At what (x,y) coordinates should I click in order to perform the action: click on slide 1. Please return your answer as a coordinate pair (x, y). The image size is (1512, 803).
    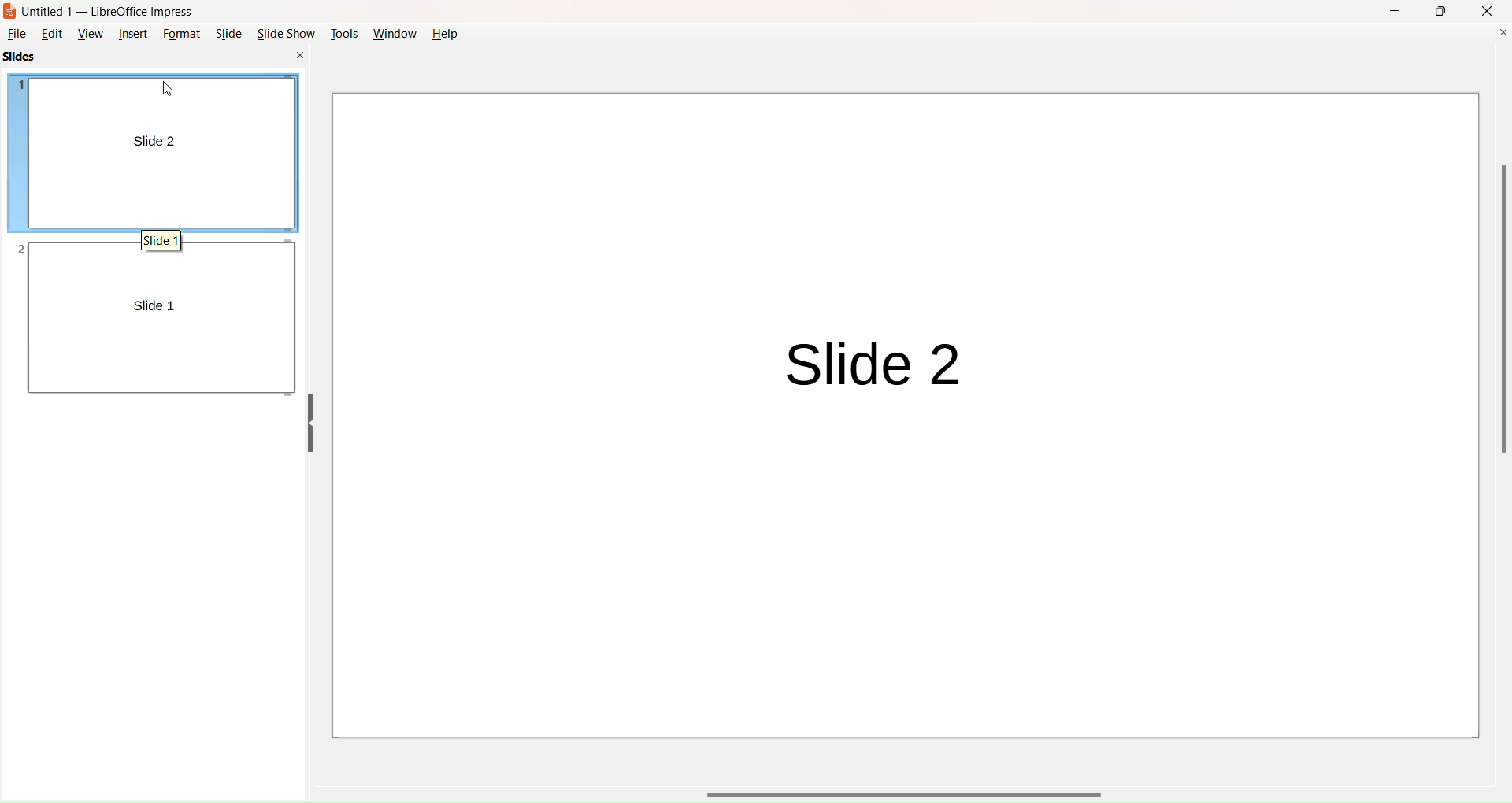
    Looking at the image, I should click on (161, 242).